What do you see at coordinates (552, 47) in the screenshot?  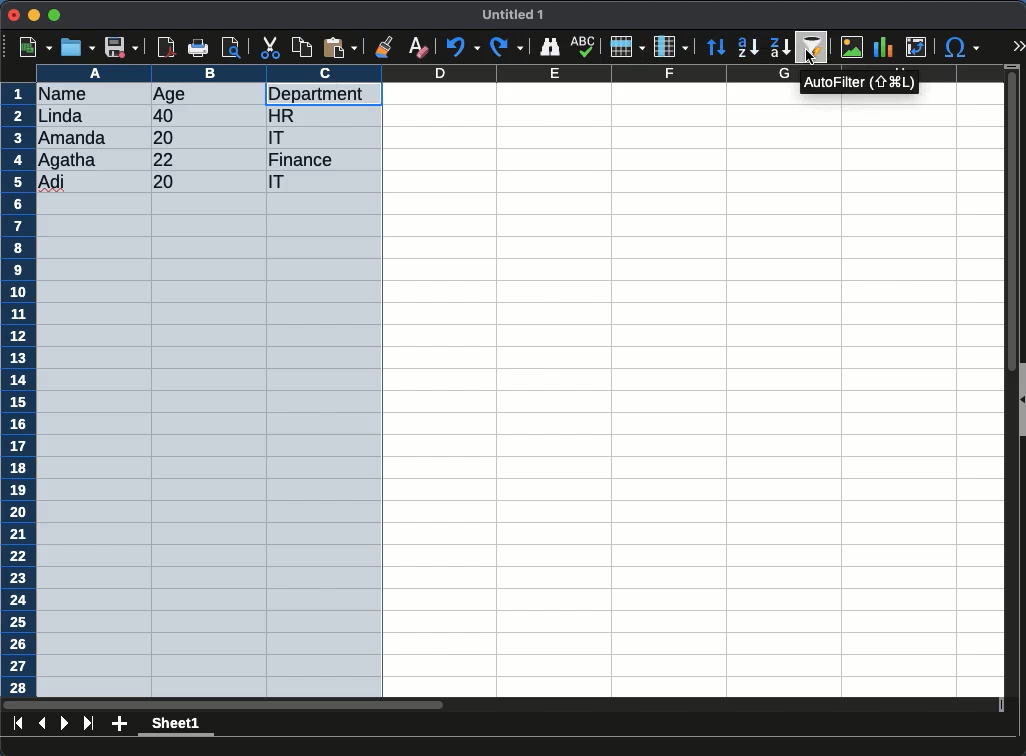 I see `finder` at bounding box center [552, 47].